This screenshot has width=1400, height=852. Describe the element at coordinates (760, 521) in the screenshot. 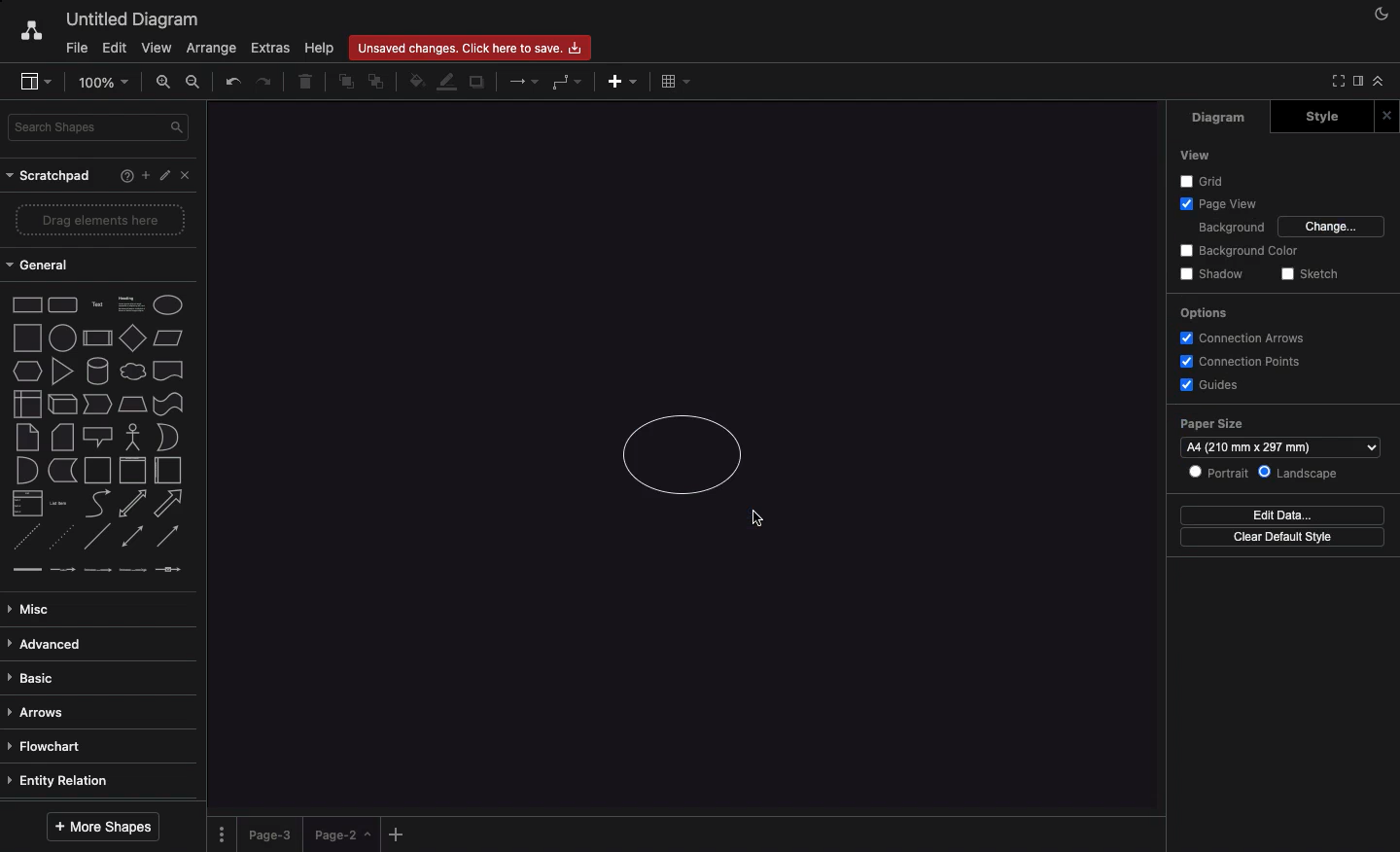

I see `Cursor` at that location.